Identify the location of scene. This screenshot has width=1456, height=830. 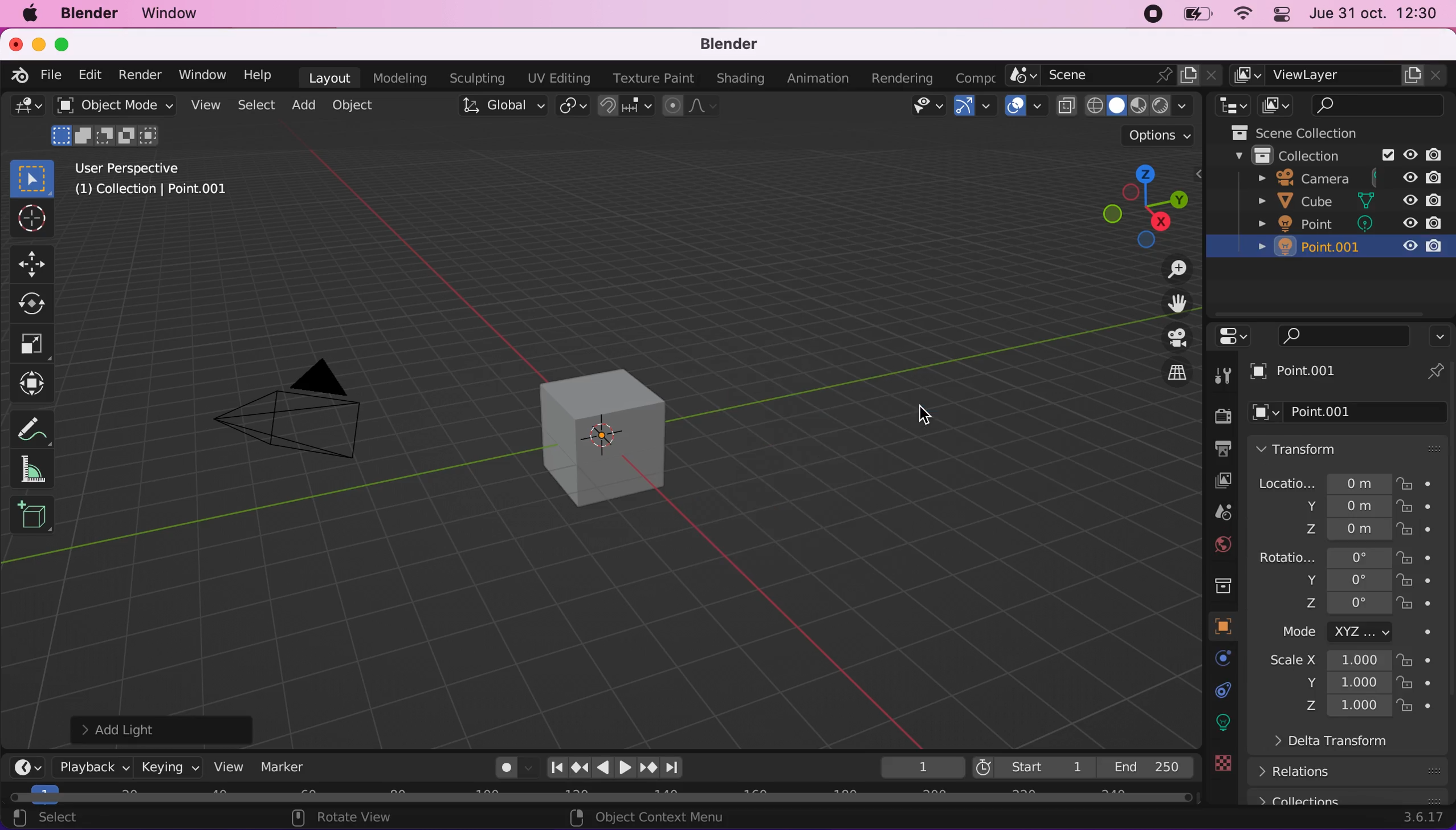
(1115, 75).